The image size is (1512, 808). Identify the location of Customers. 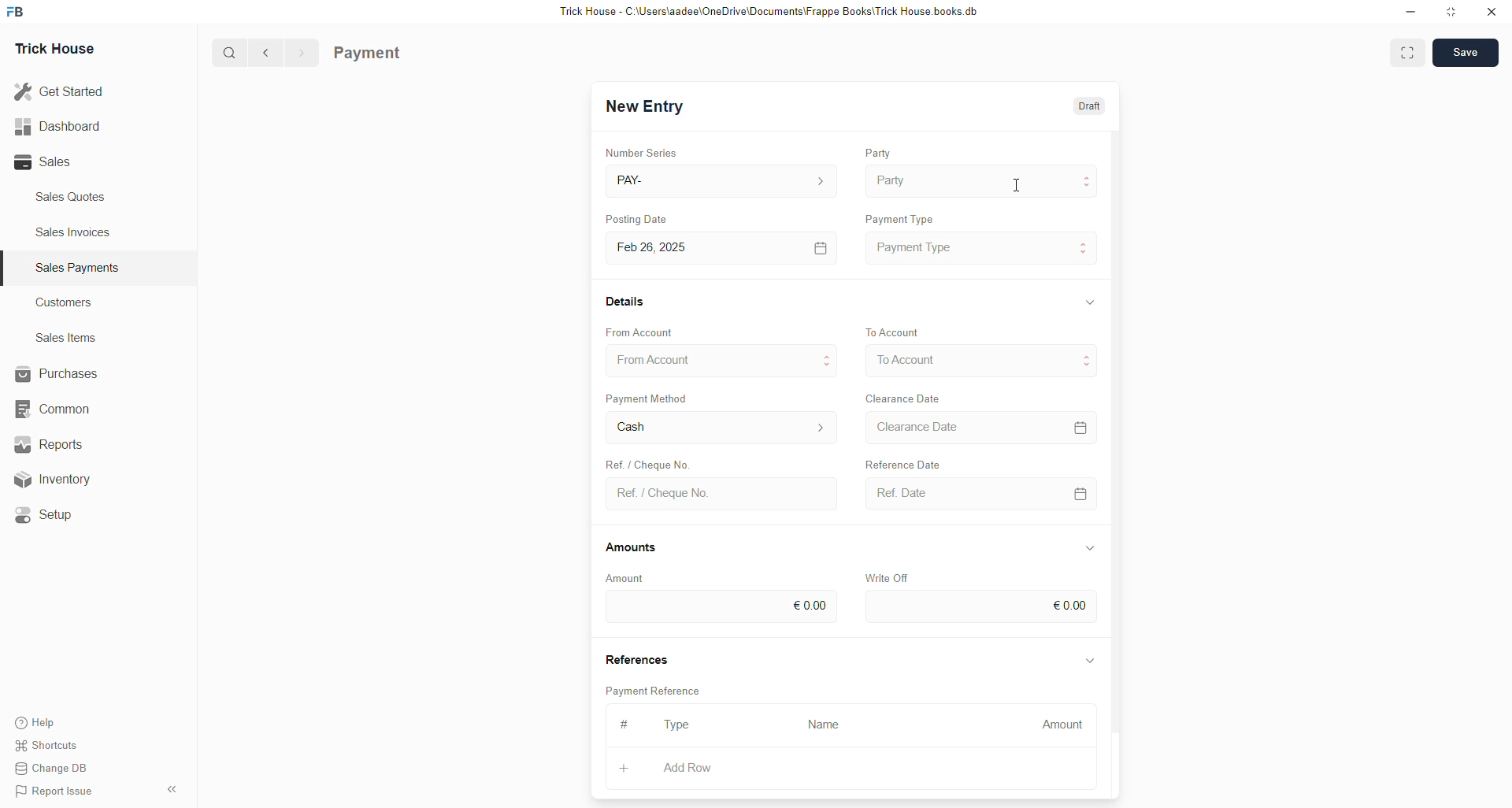
(69, 302).